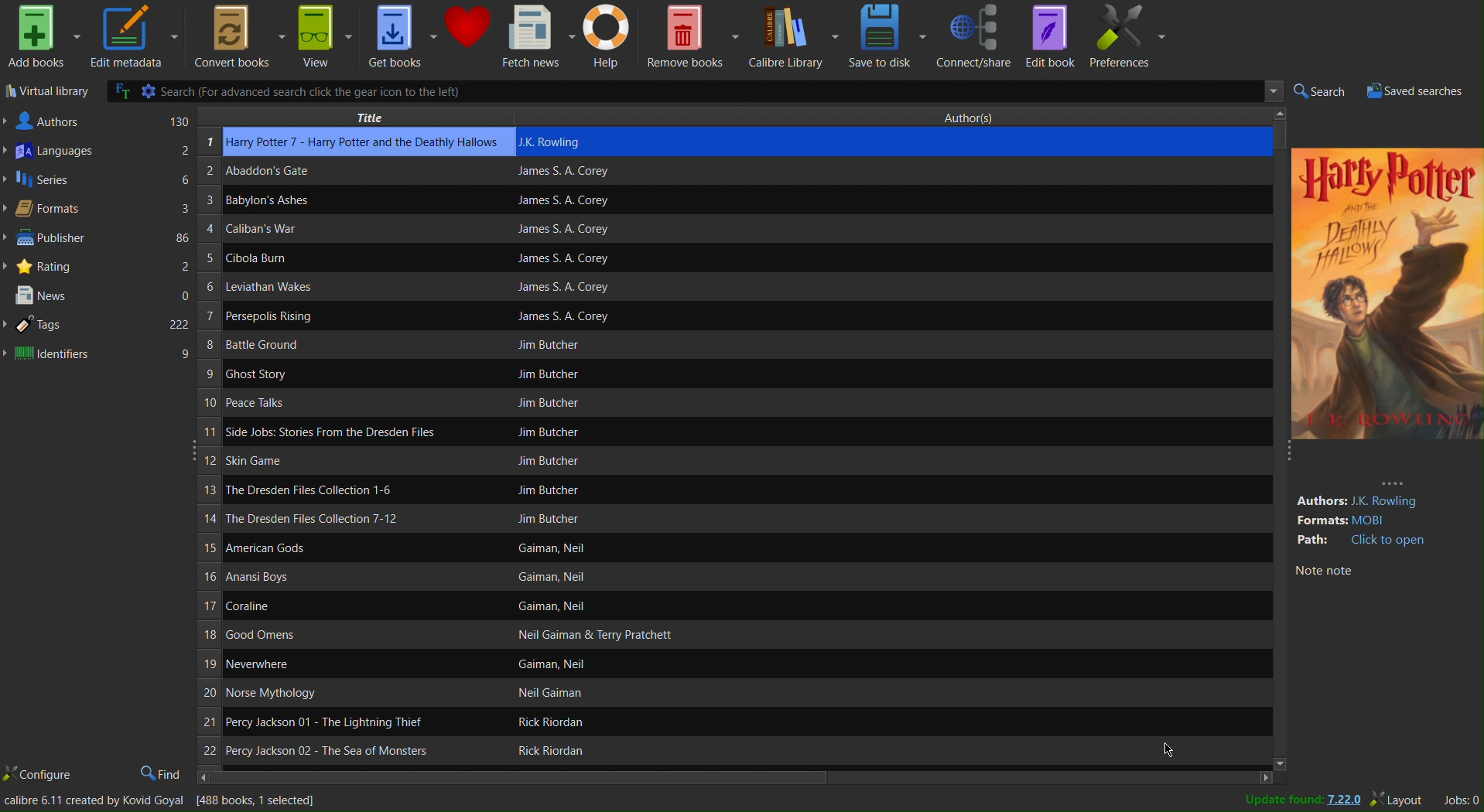 This screenshot has height=812, width=1484. I want to click on Author’s name, so click(745, 230).